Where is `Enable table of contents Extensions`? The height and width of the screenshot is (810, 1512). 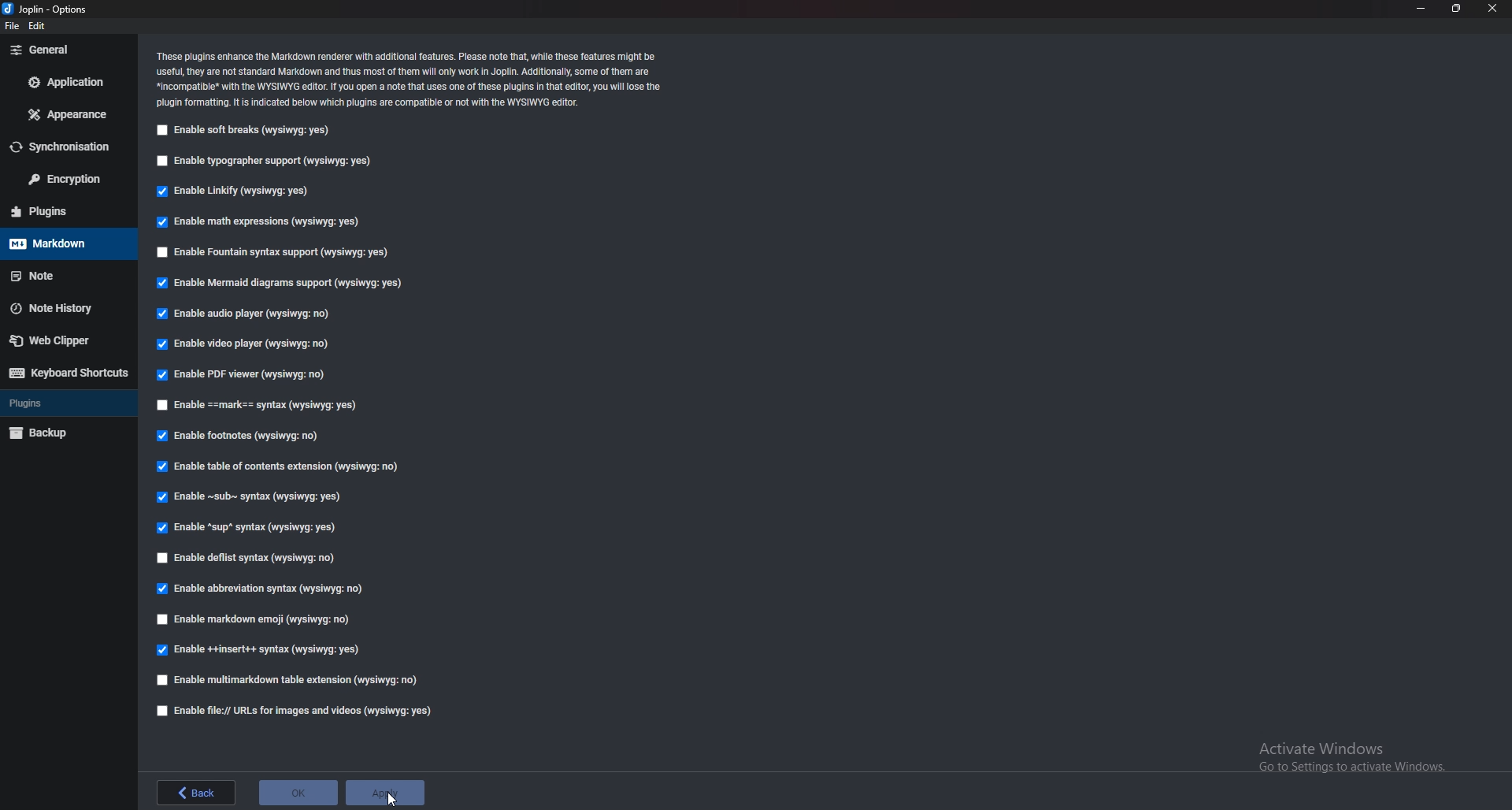 Enable table of contents Extensions is located at coordinates (280, 466).